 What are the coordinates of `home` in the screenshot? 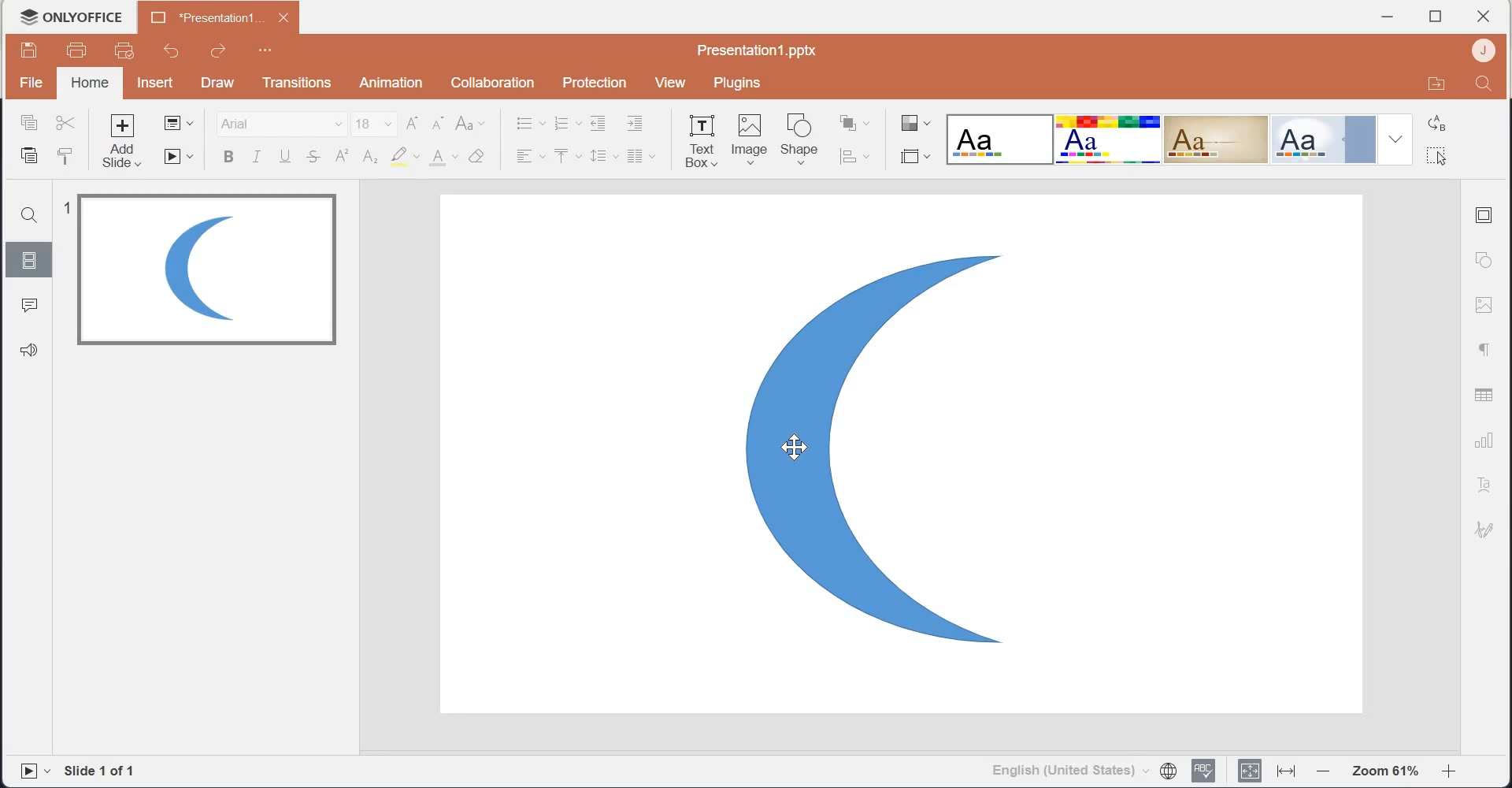 It's located at (89, 84).